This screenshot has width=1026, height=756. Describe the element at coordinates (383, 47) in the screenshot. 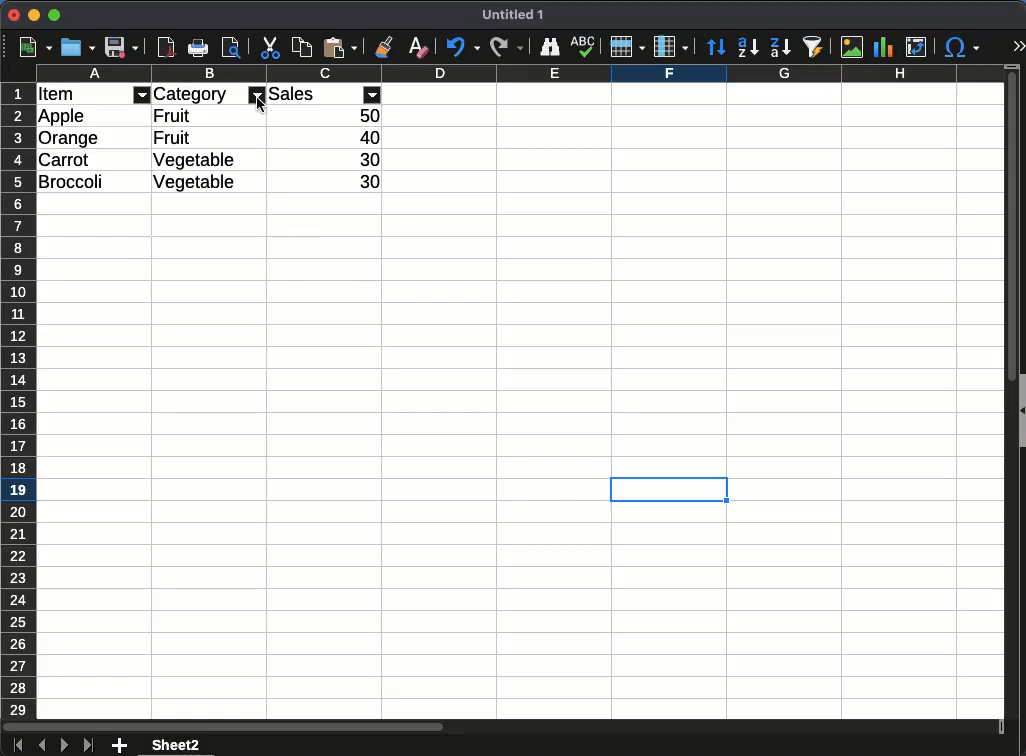

I see `clone formatting` at that location.